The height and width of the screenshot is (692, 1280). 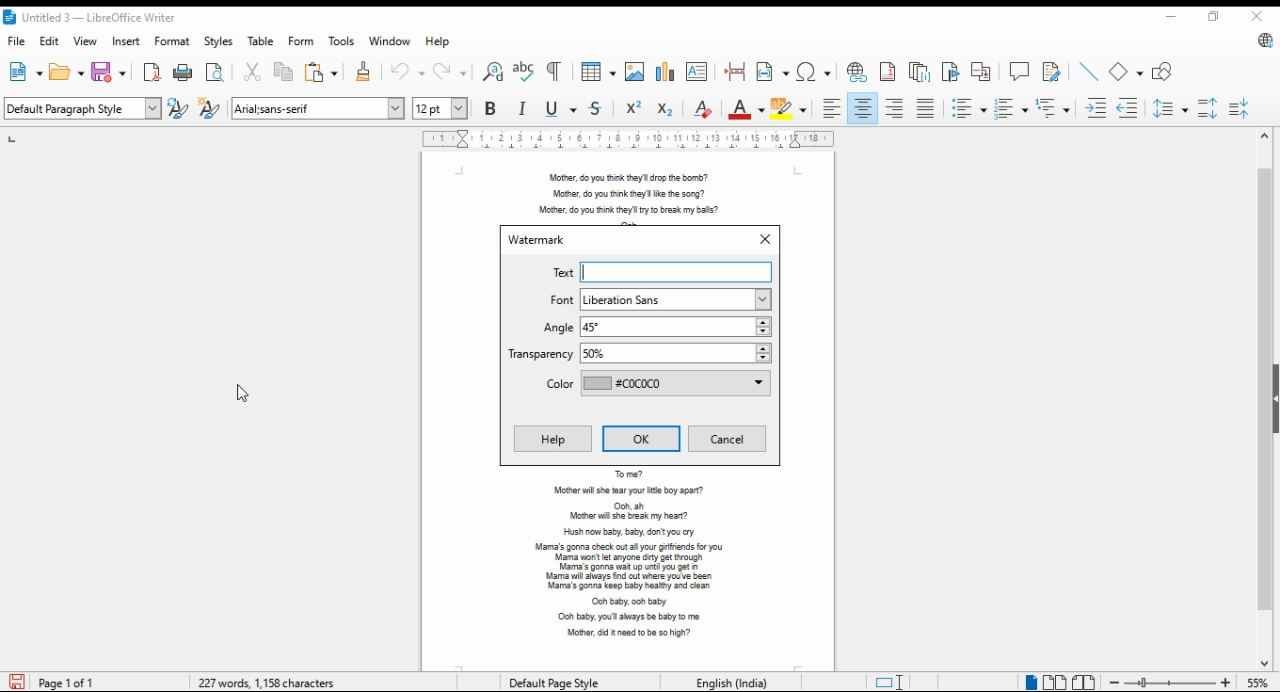 I want to click on insert image, so click(x=636, y=71).